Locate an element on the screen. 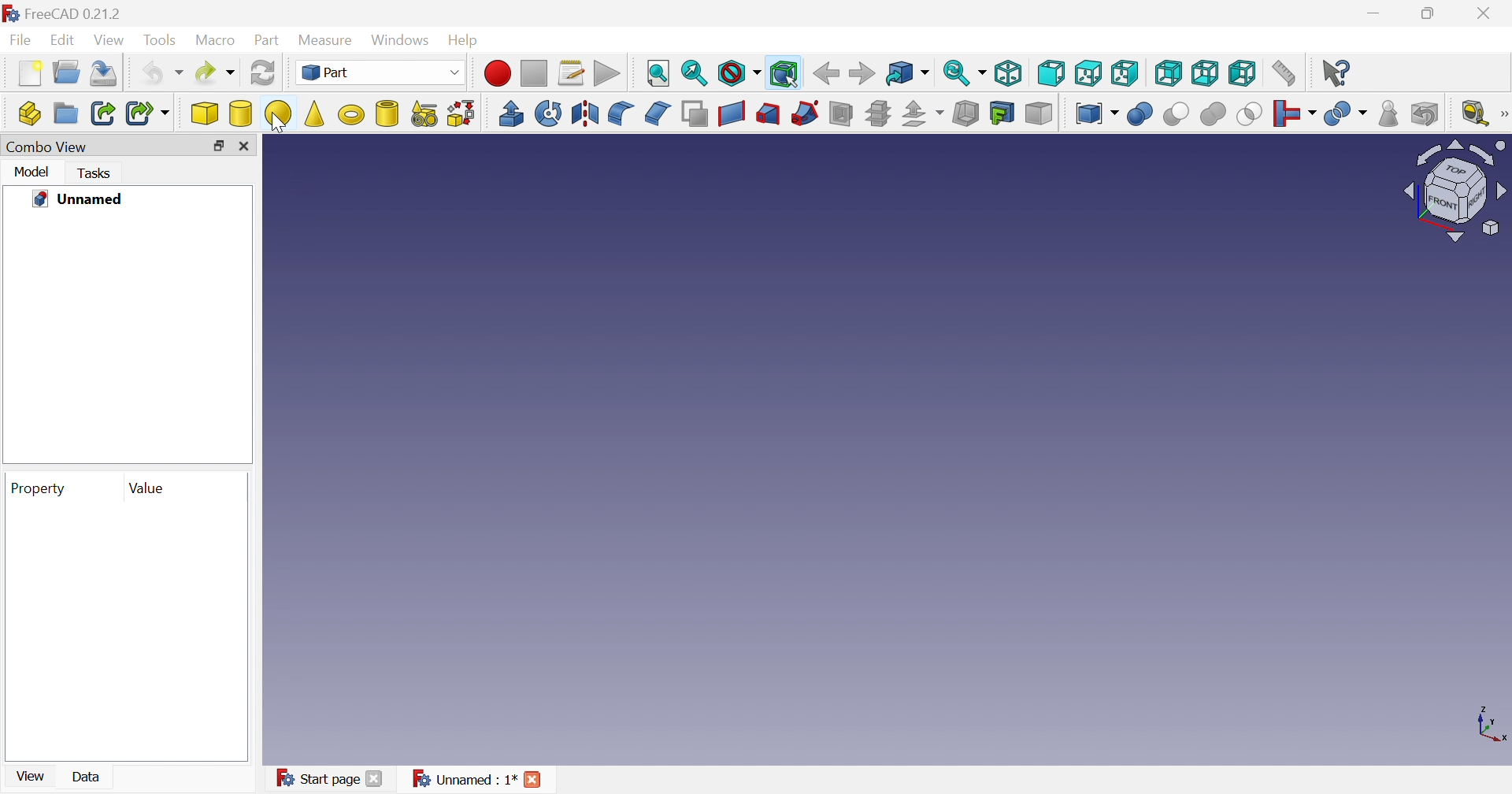 The width and height of the screenshot is (1512, 794). Stop macro recording is located at coordinates (533, 72).